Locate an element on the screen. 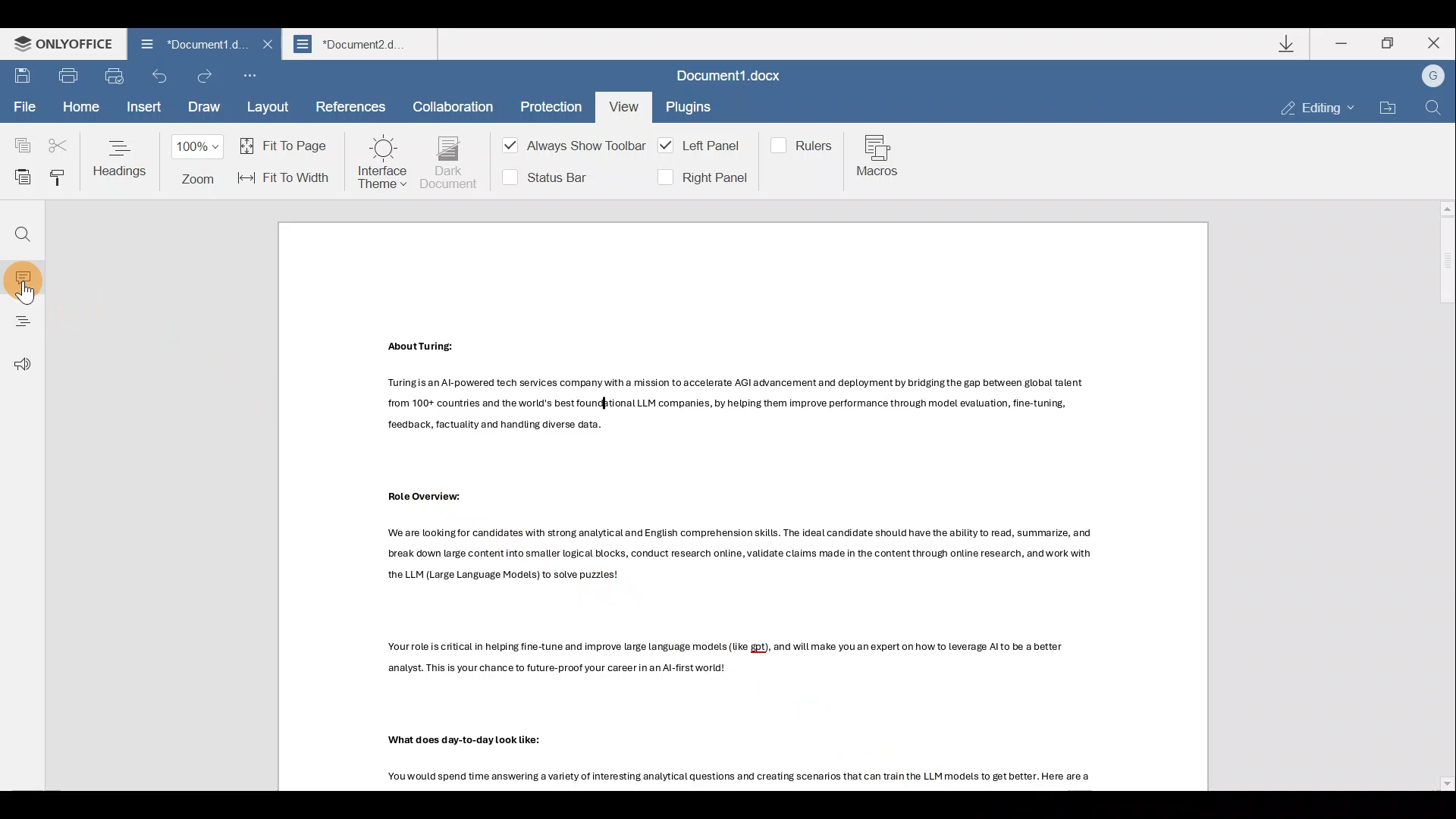 The width and height of the screenshot is (1456, 819). Macros is located at coordinates (881, 158).